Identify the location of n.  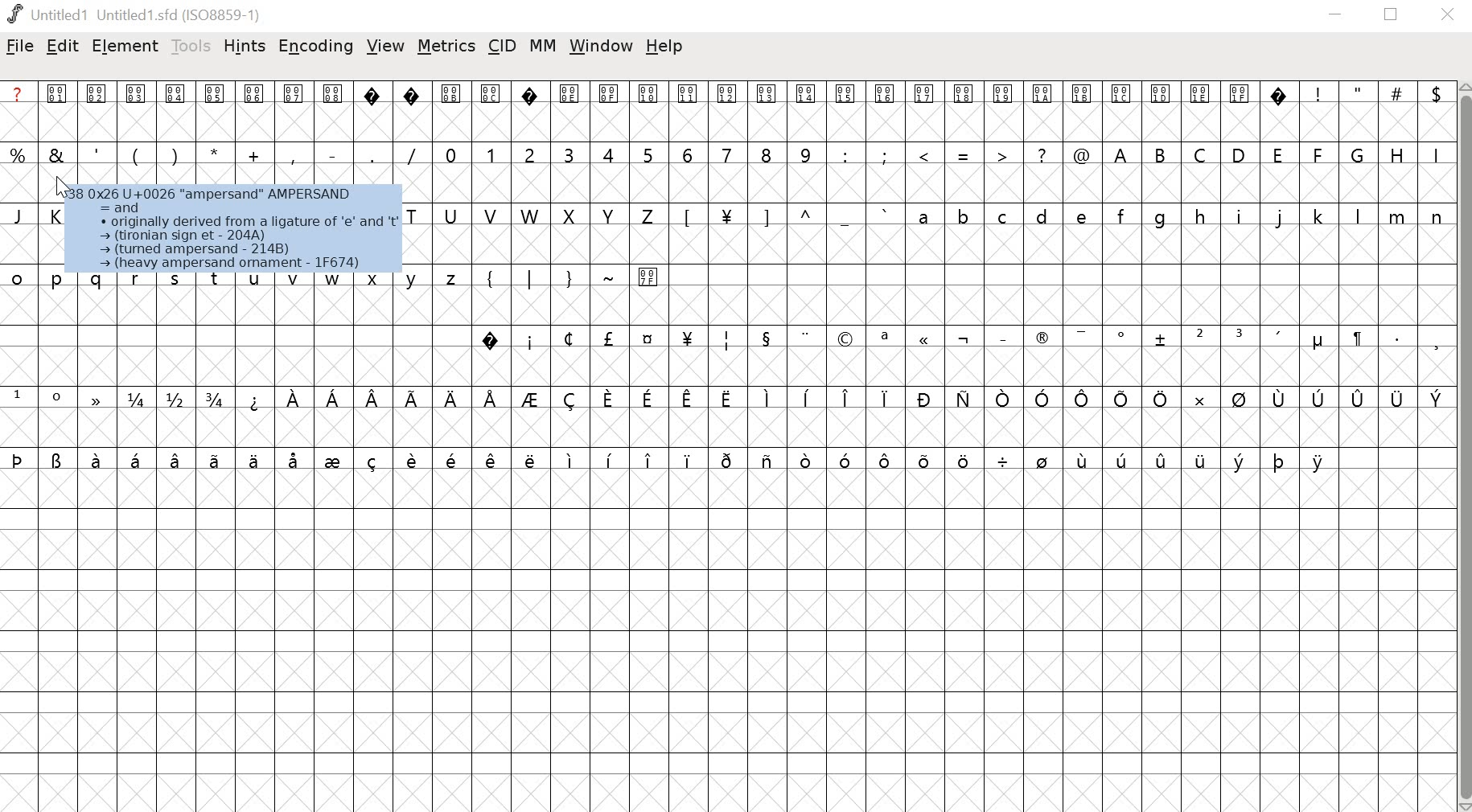
(1437, 215).